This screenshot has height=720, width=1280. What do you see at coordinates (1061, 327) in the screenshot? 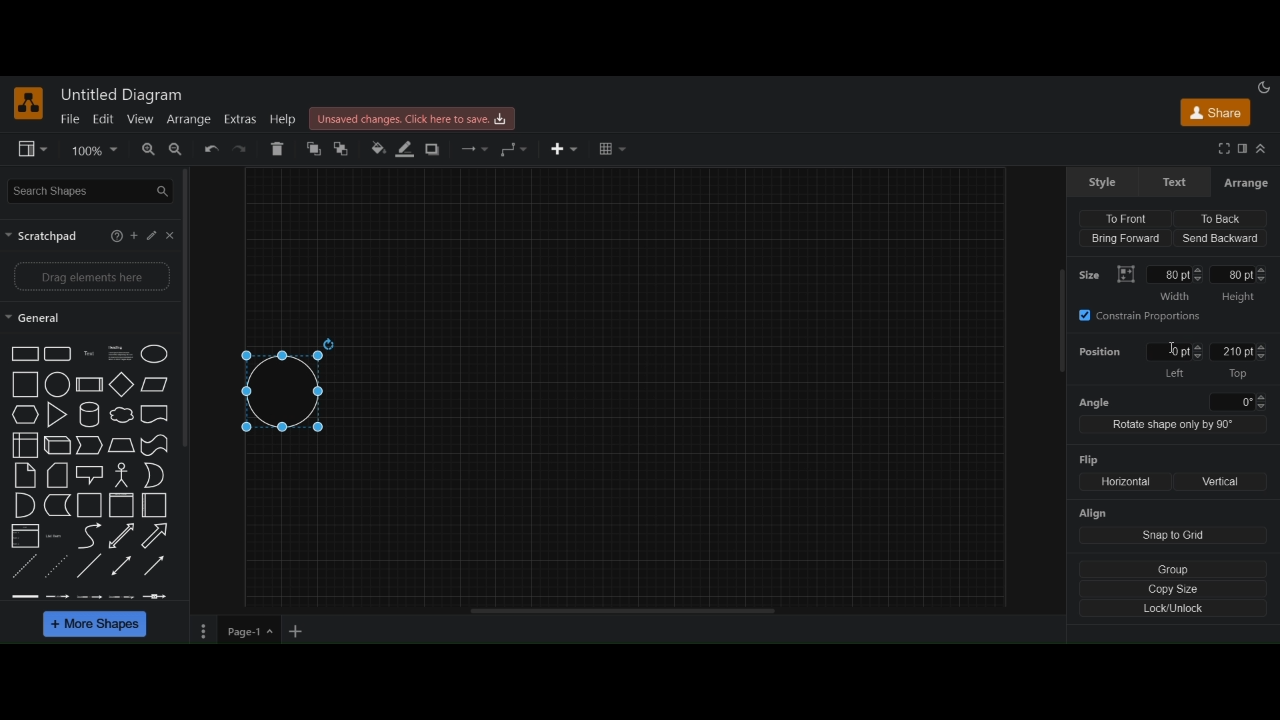
I see `vertical scrollbar` at bounding box center [1061, 327].